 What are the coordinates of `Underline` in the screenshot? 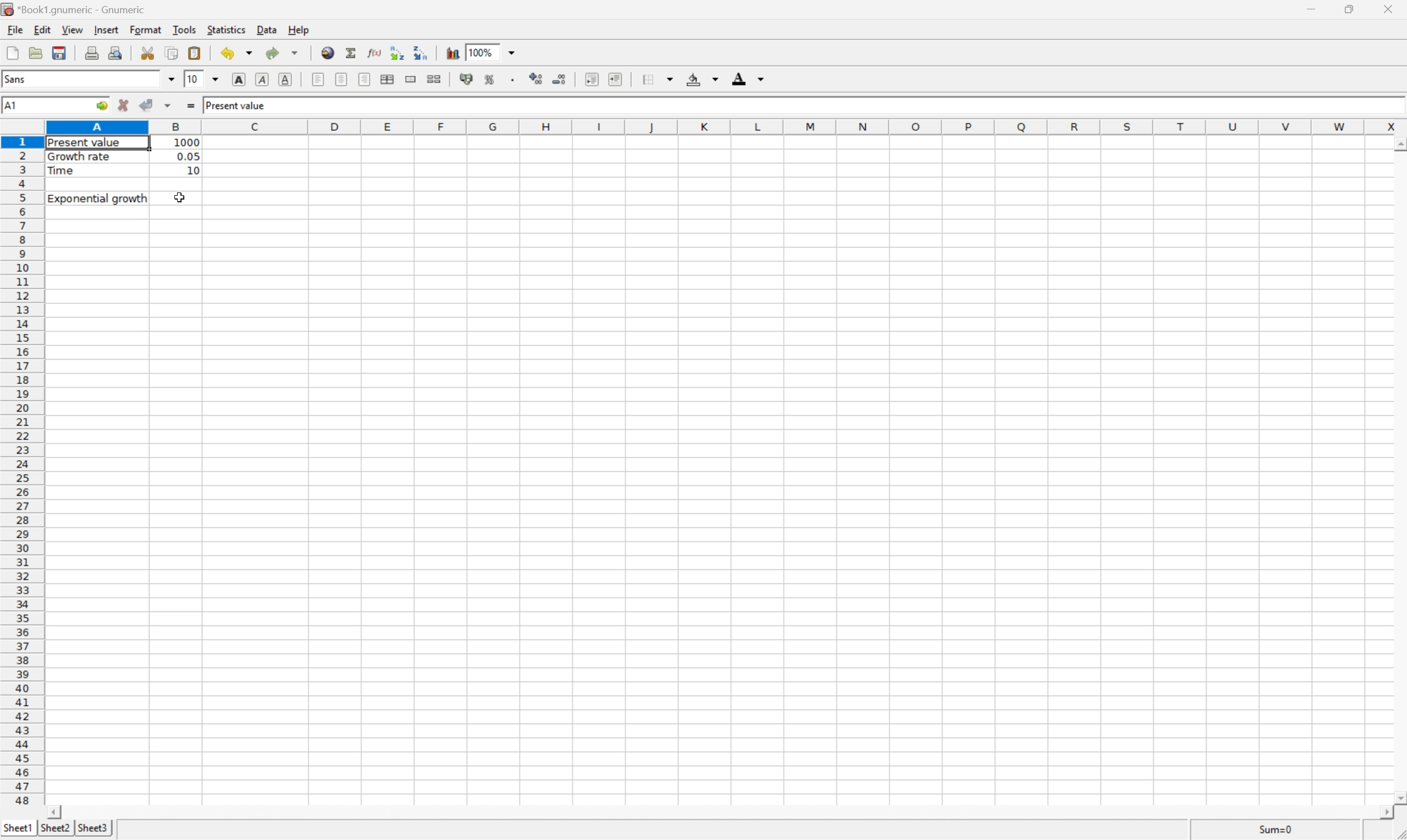 It's located at (285, 80).